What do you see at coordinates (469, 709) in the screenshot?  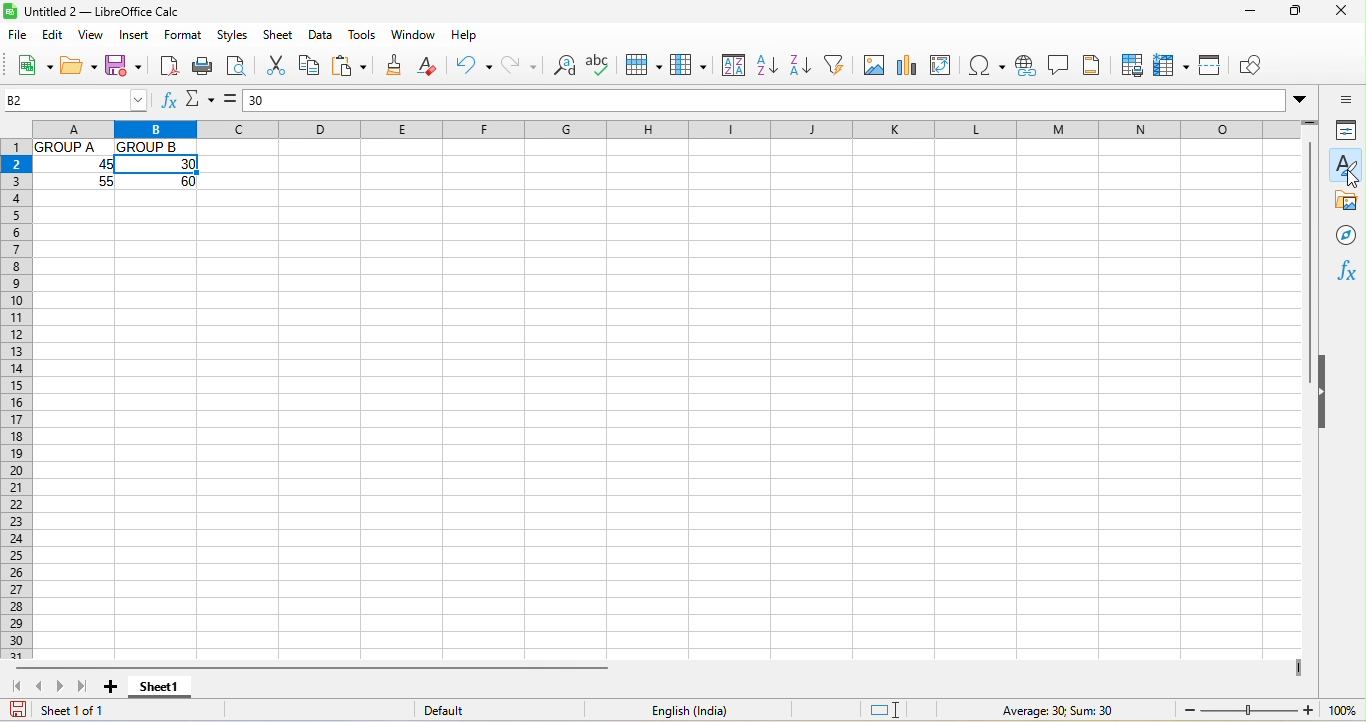 I see `default` at bounding box center [469, 709].